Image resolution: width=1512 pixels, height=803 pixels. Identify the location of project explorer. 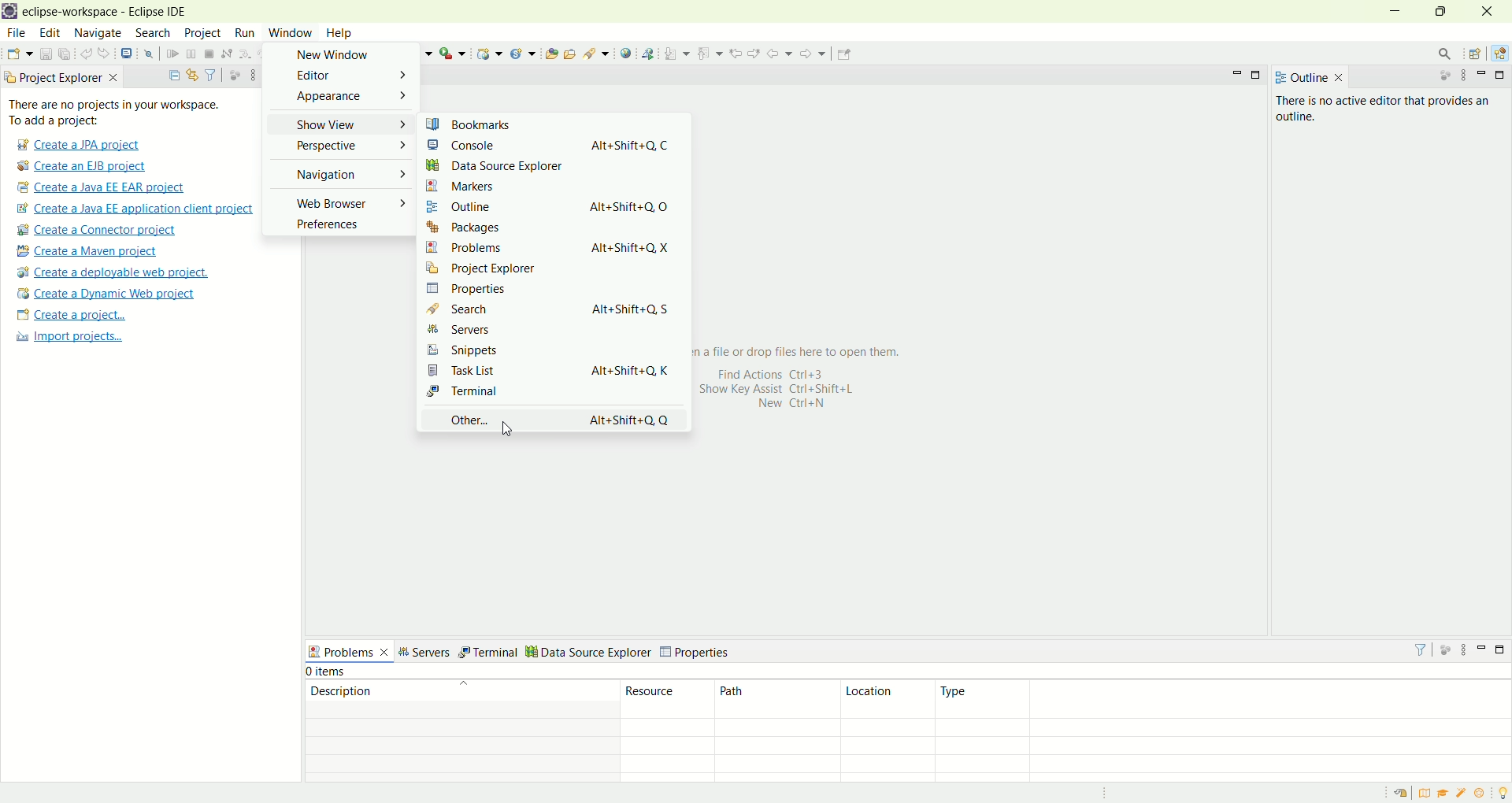
(499, 270).